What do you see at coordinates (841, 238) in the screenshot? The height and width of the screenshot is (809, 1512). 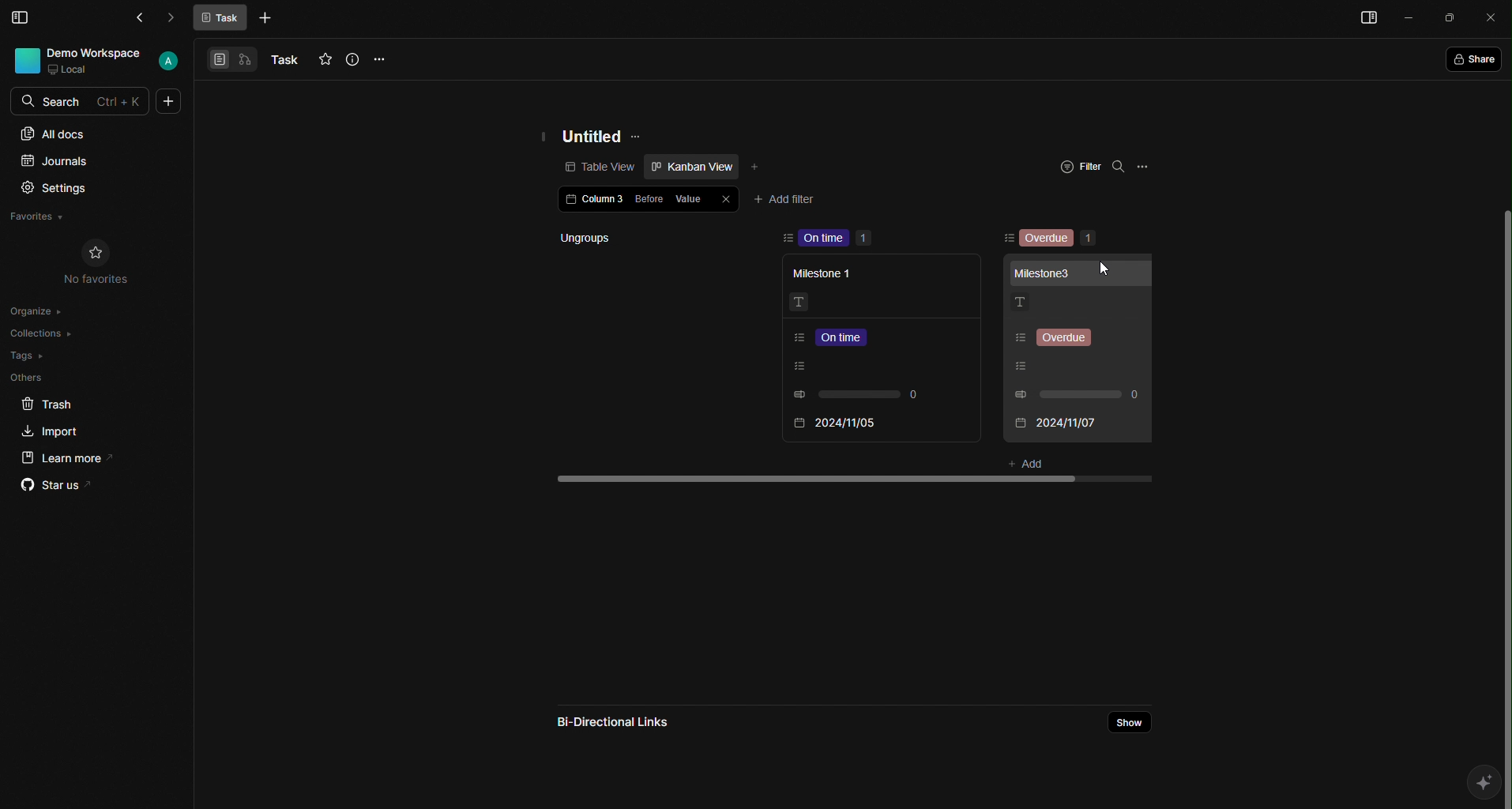 I see `On time` at bounding box center [841, 238].